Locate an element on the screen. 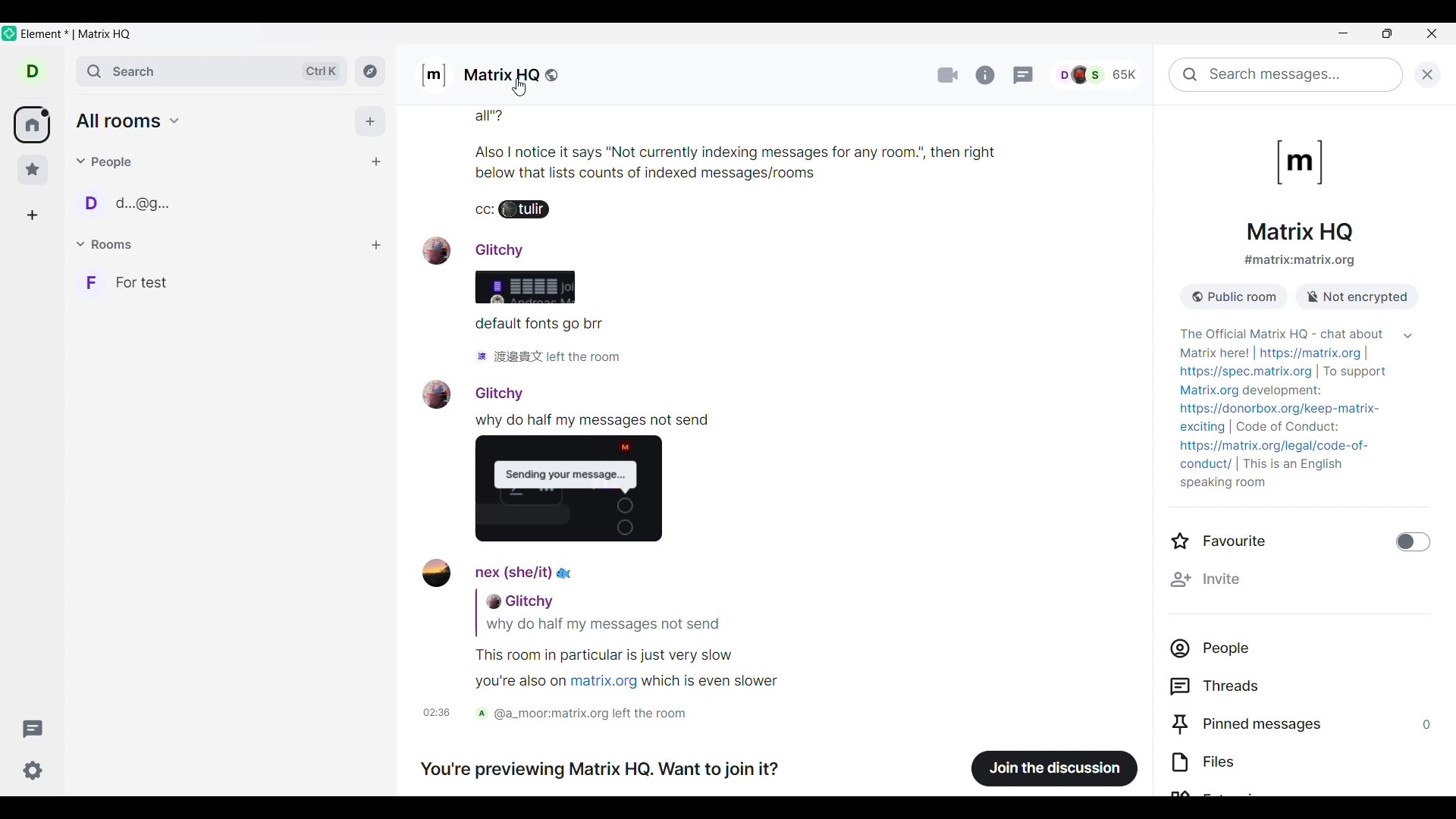  quick settings is located at coordinates (33, 770).